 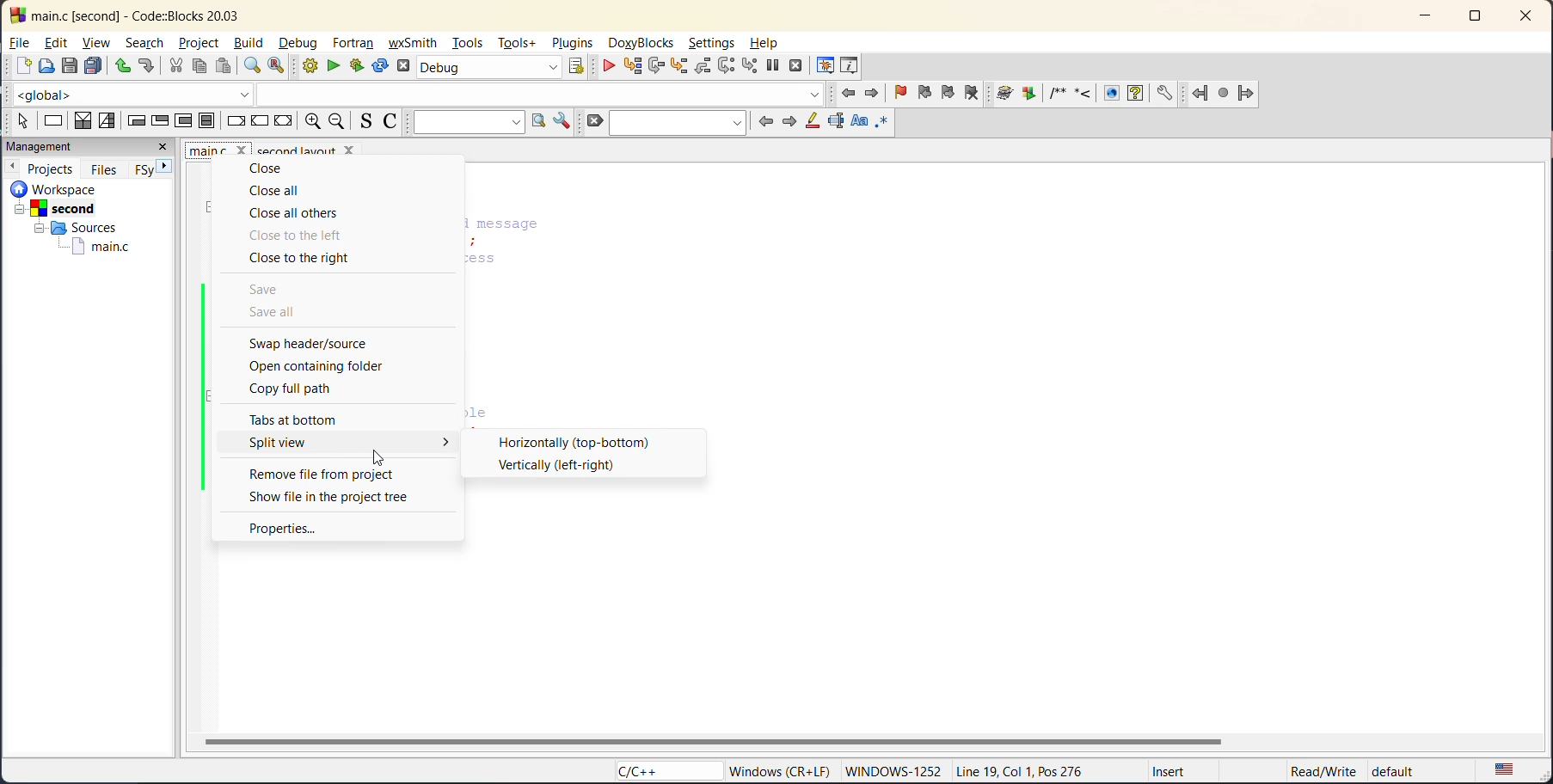 What do you see at coordinates (1423, 17) in the screenshot?
I see `minimize` at bounding box center [1423, 17].